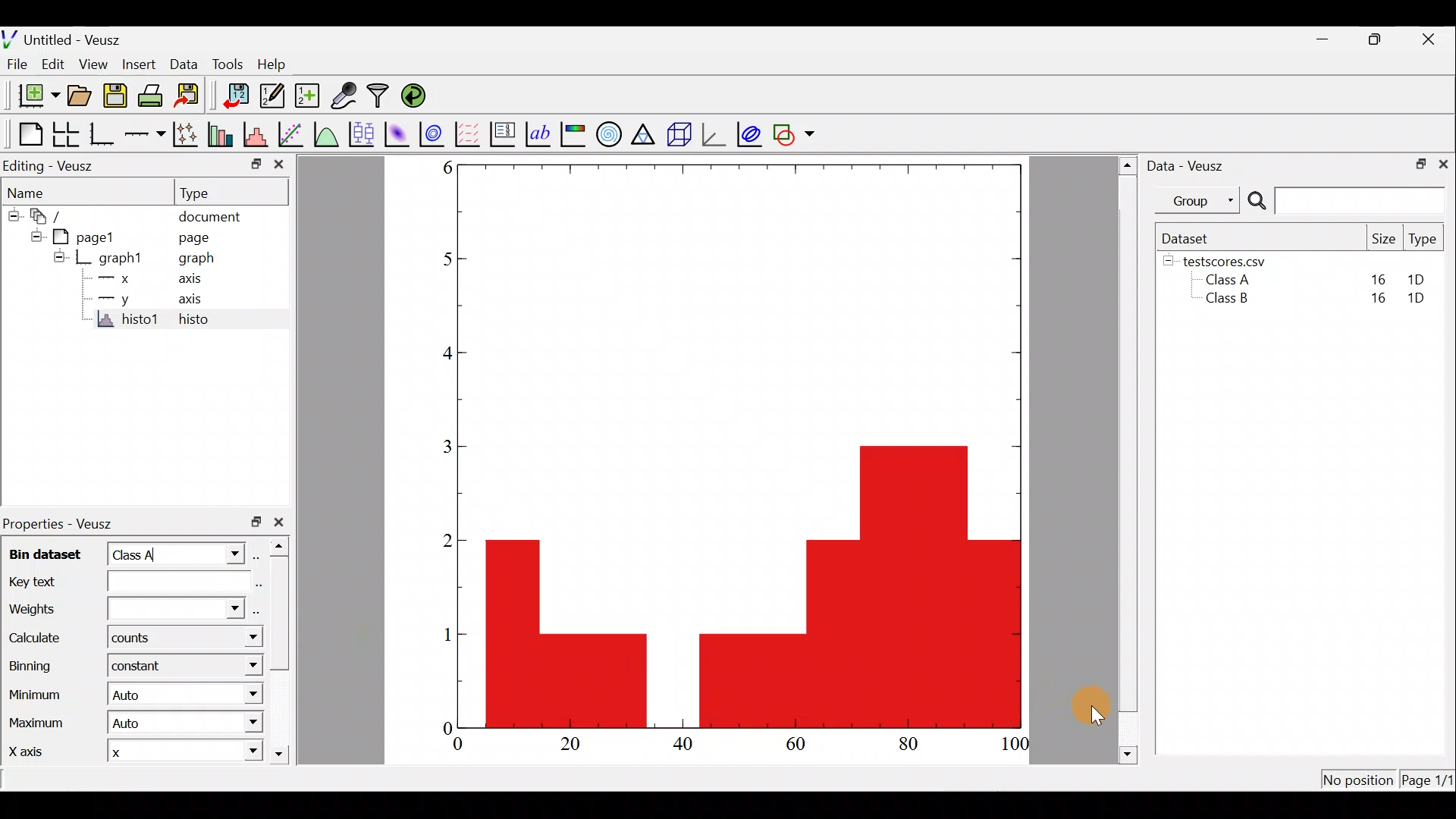  I want to click on Name, so click(45, 193).